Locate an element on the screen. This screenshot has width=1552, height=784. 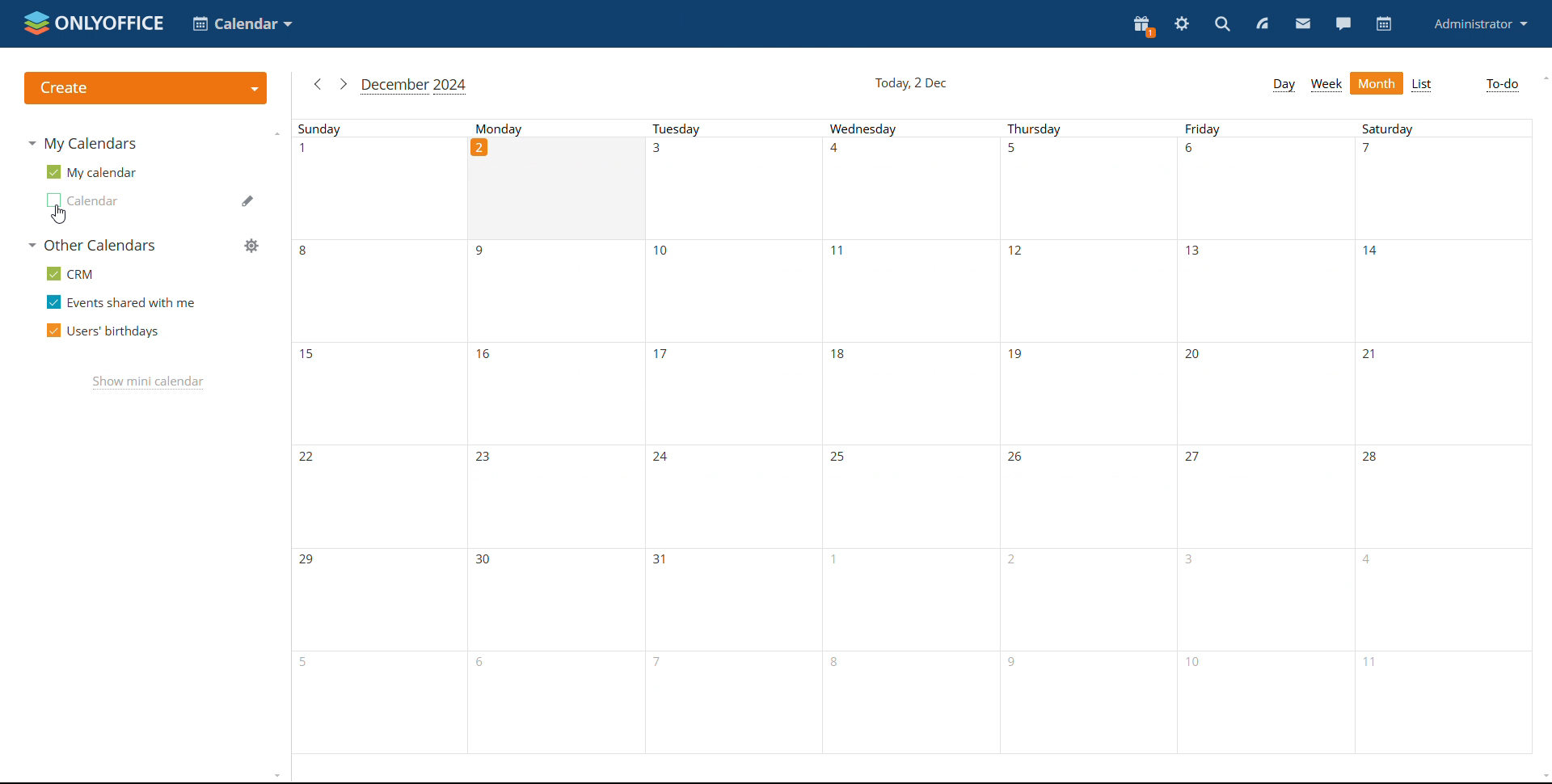
users' birthdays is located at coordinates (103, 331).